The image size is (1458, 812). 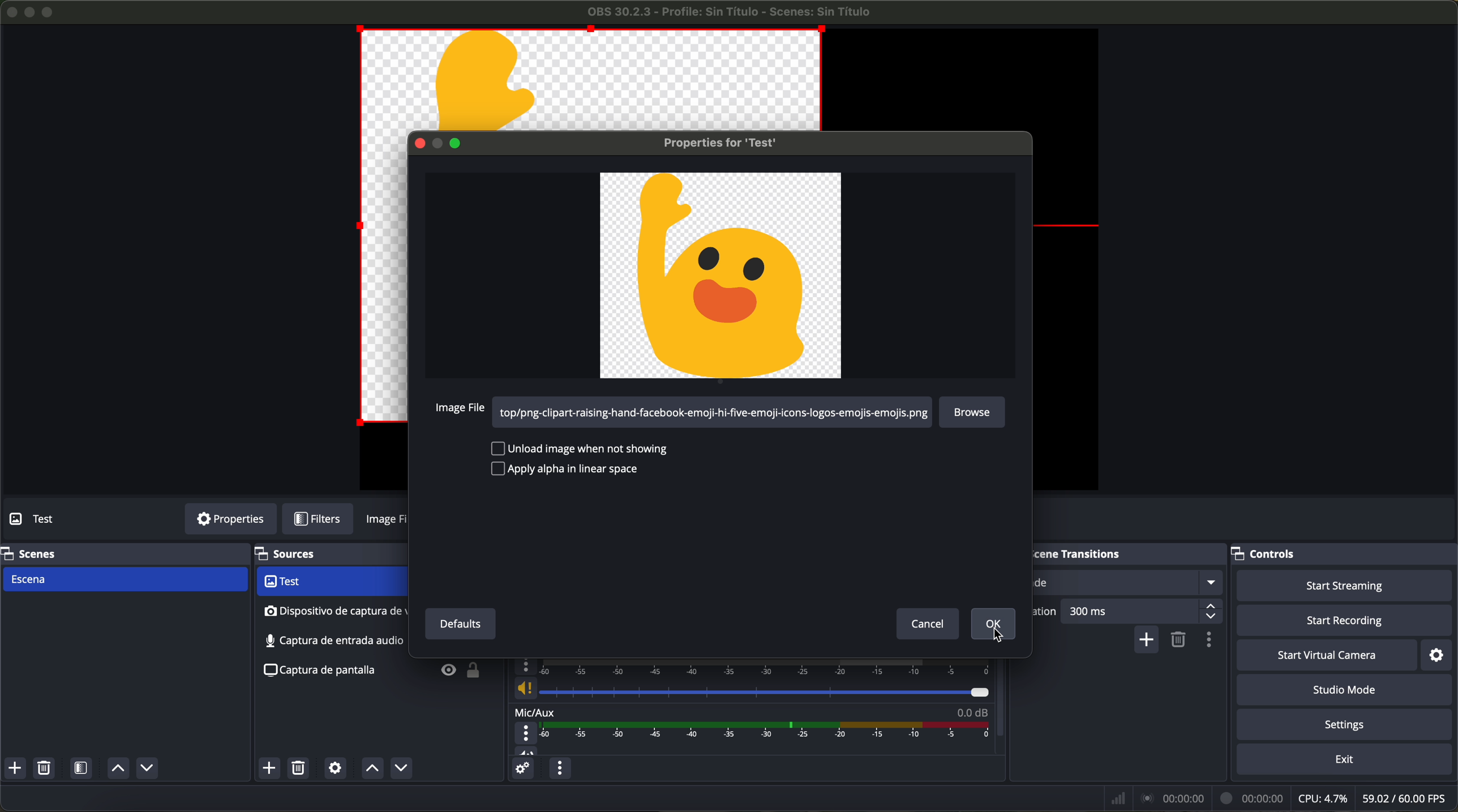 I want to click on more options, so click(x=527, y=733).